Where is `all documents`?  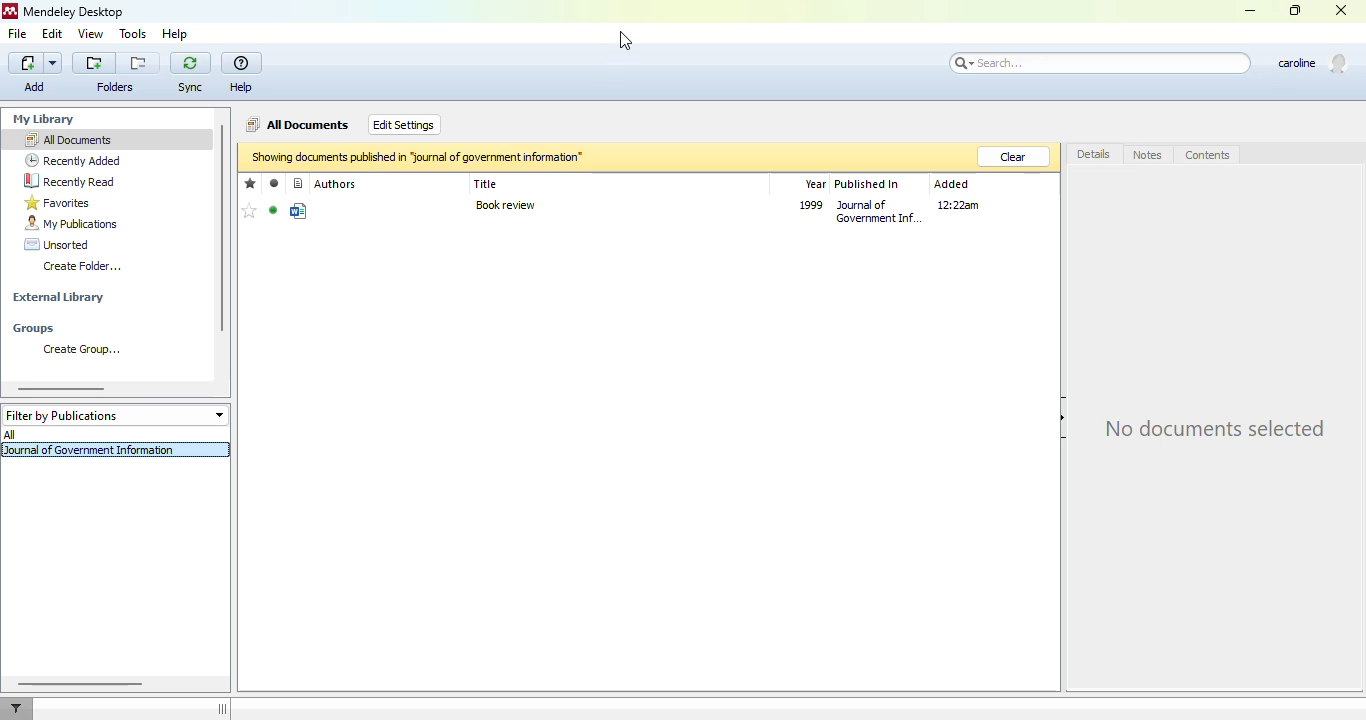
all documents is located at coordinates (298, 125).